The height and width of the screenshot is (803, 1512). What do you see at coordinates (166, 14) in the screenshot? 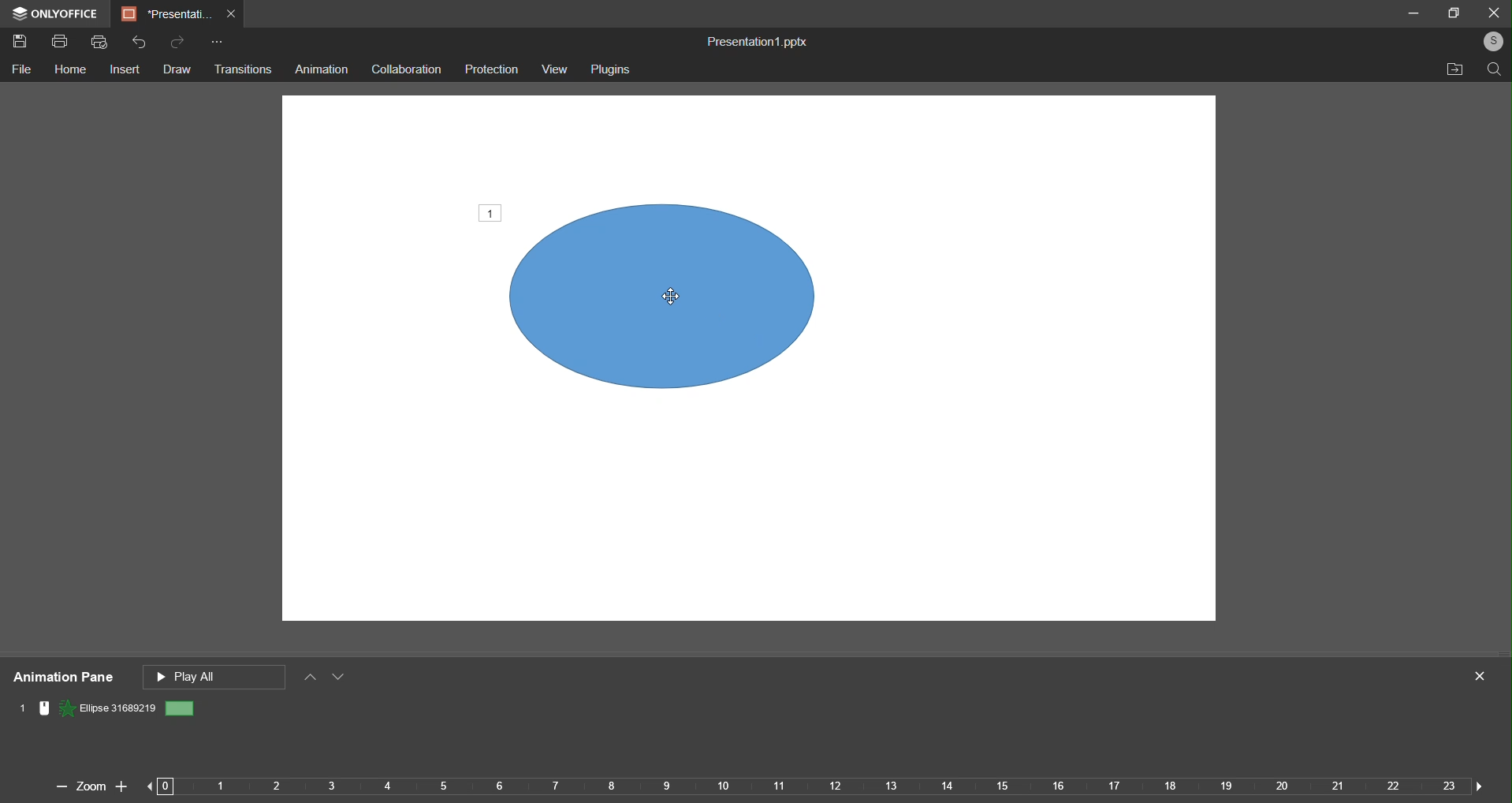
I see `Current Tab` at bounding box center [166, 14].